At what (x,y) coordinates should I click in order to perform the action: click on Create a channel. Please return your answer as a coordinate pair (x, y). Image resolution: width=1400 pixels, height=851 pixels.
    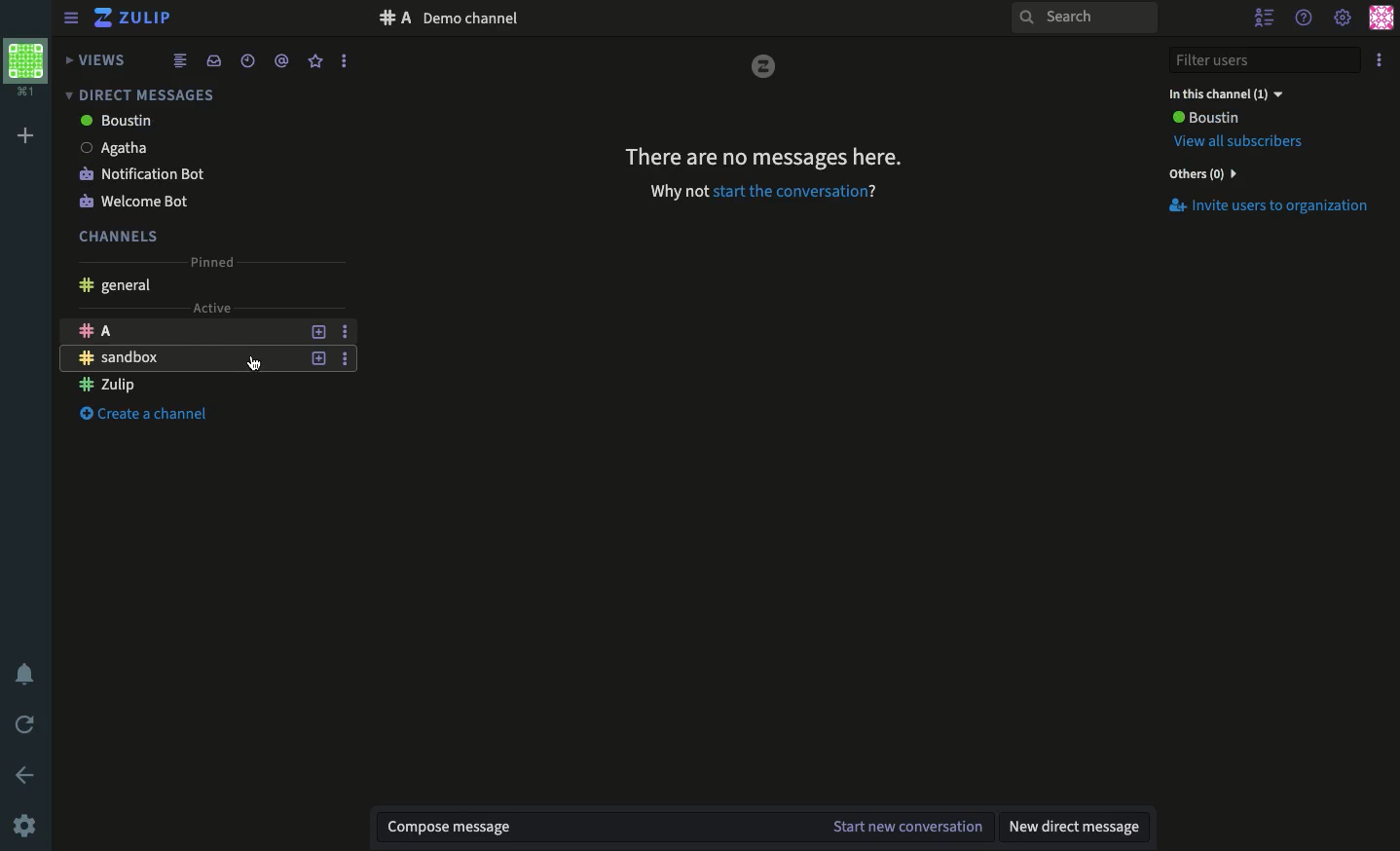
    Looking at the image, I should click on (146, 416).